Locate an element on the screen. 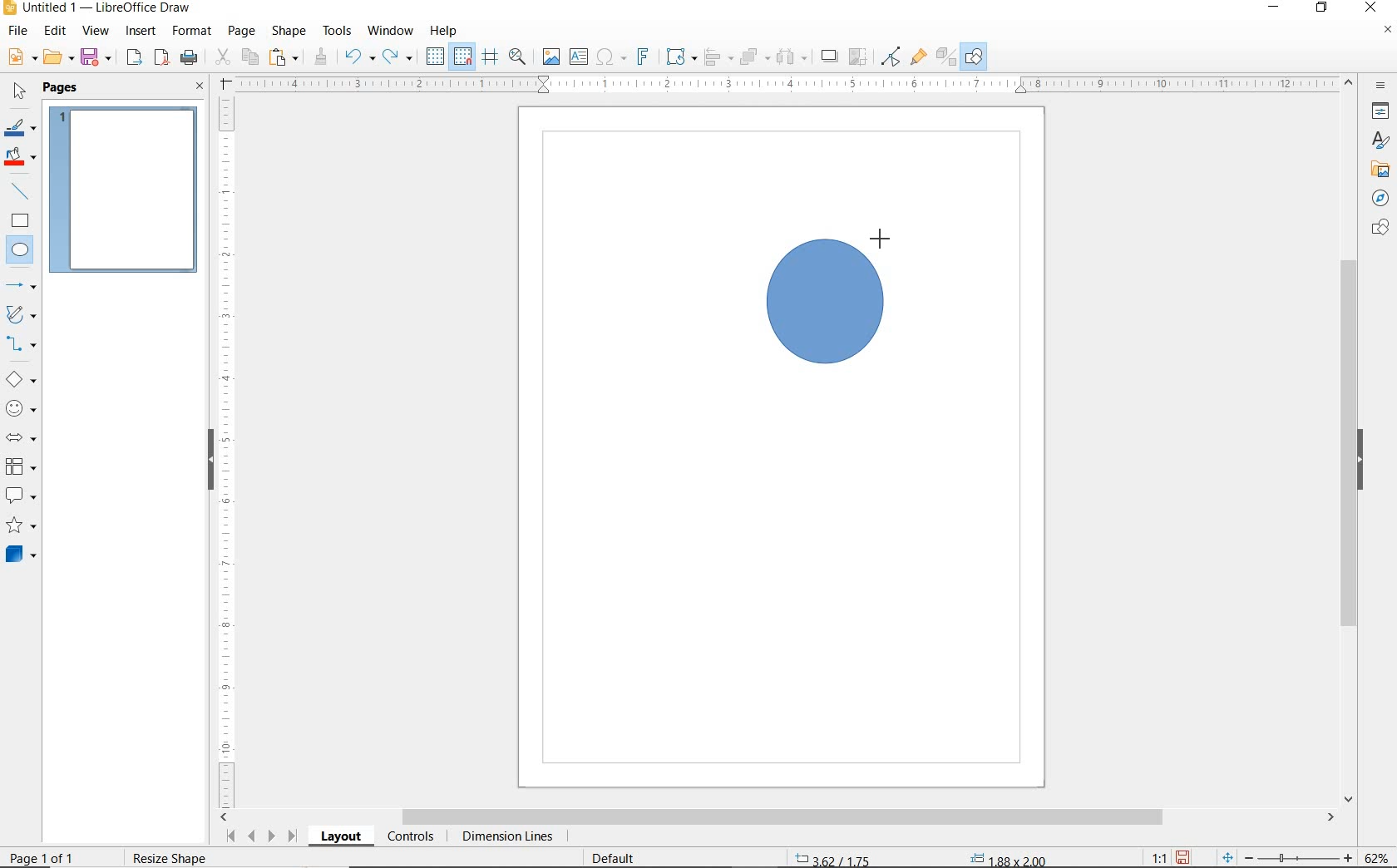 Image resolution: width=1397 pixels, height=868 pixels. LINES AND ARROWS is located at coordinates (22, 287).